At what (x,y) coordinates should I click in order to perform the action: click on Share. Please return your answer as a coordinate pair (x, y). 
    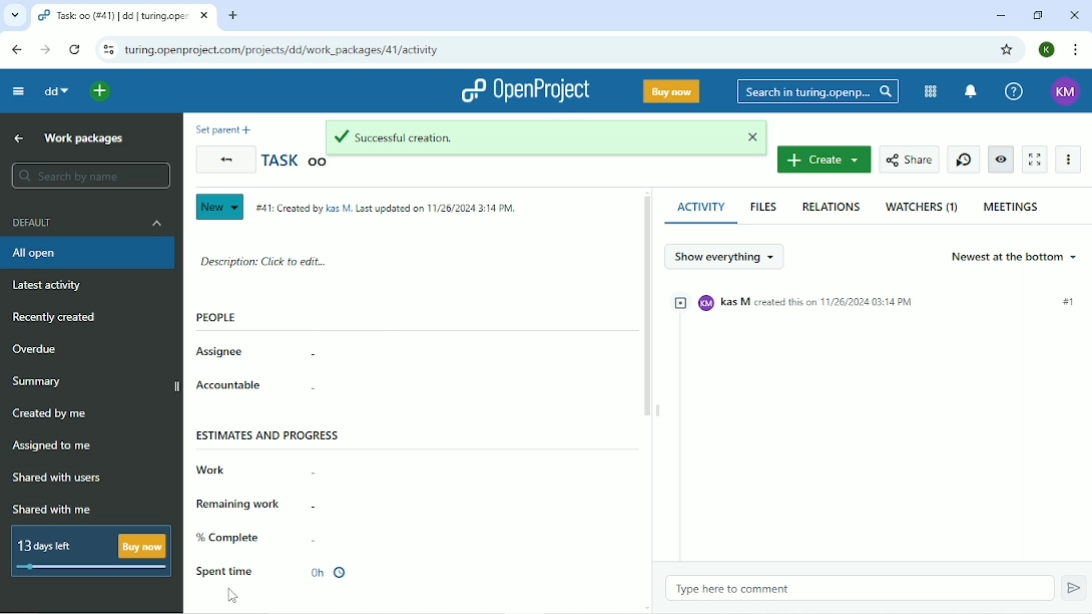
    Looking at the image, I should click on (911, 159).